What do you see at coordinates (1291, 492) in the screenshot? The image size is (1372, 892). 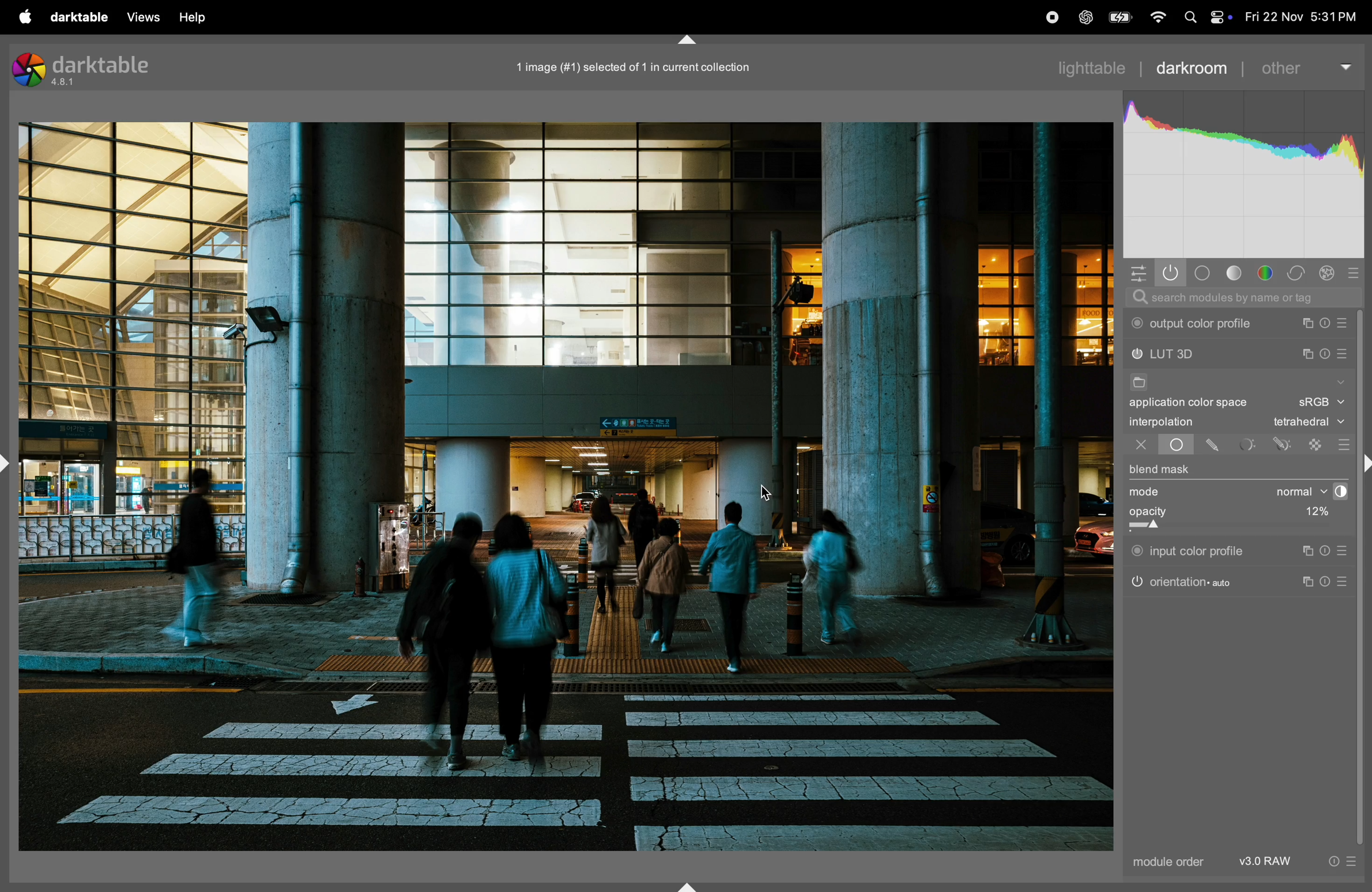 I see `normal` at bounding box center [1291, 492].